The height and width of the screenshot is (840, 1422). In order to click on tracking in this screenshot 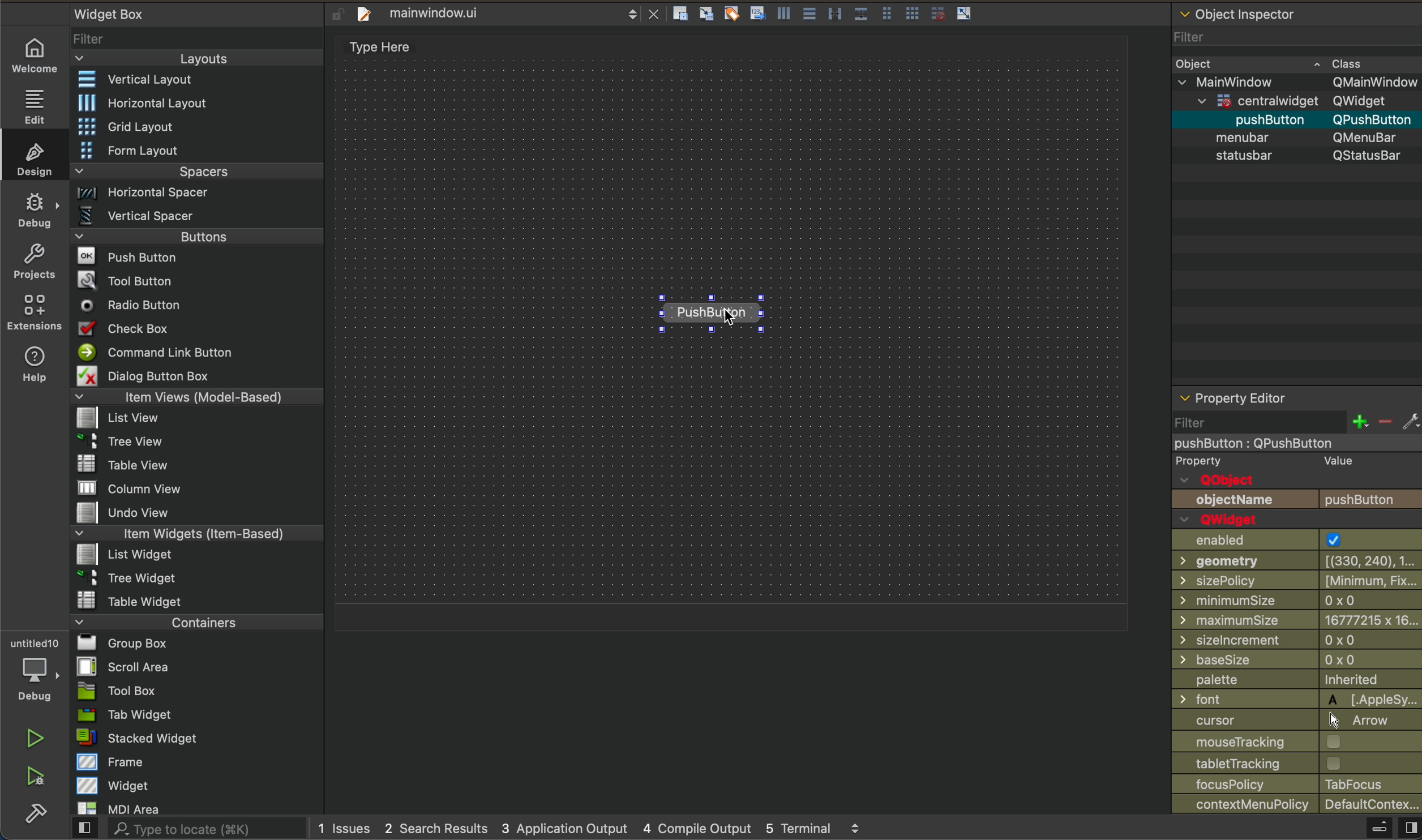, I will do `click(1297, 764)`.